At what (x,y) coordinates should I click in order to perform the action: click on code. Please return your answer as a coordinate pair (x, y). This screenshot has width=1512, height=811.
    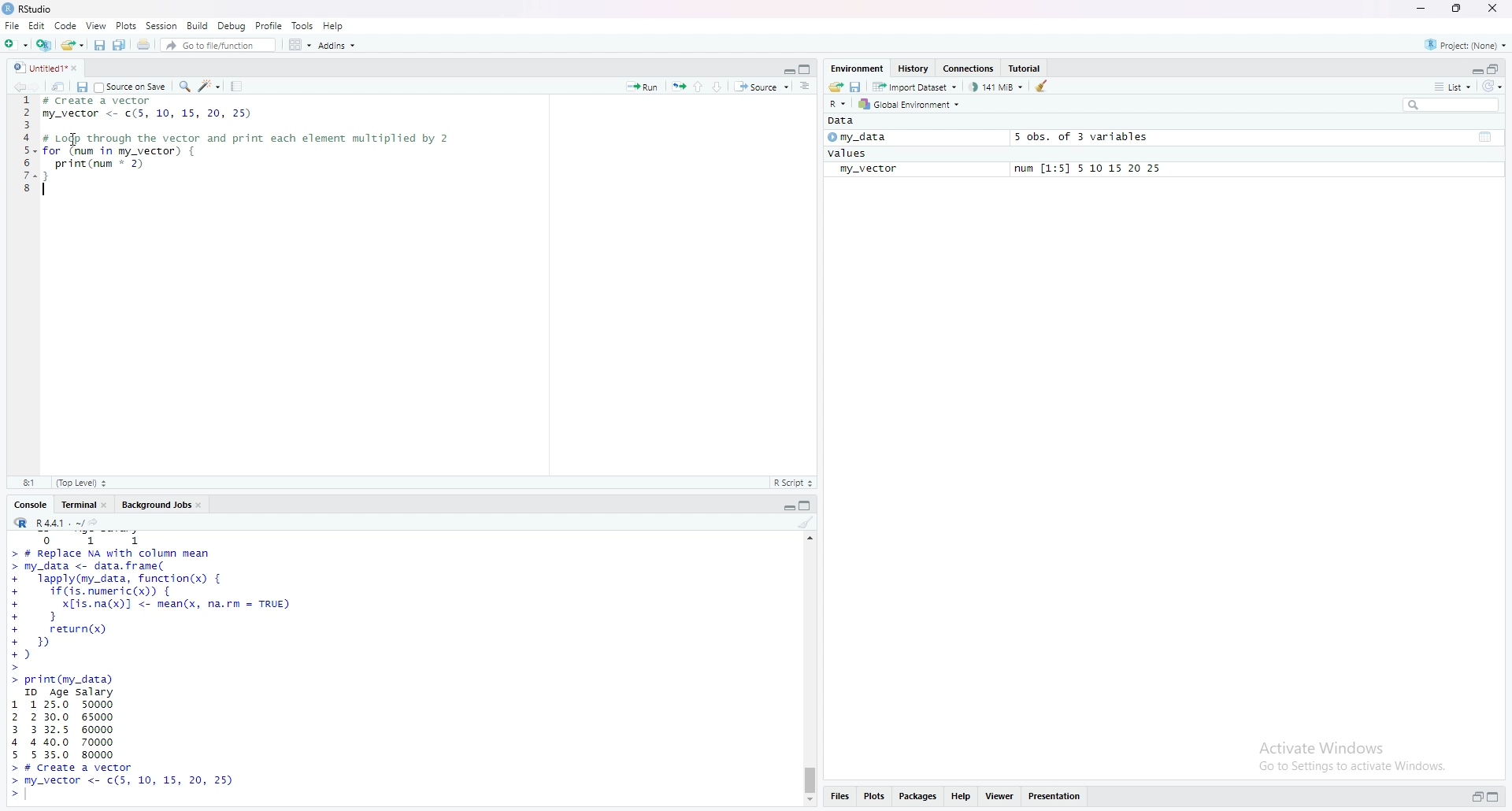
    Looking at the image, I should click on (65, 26).